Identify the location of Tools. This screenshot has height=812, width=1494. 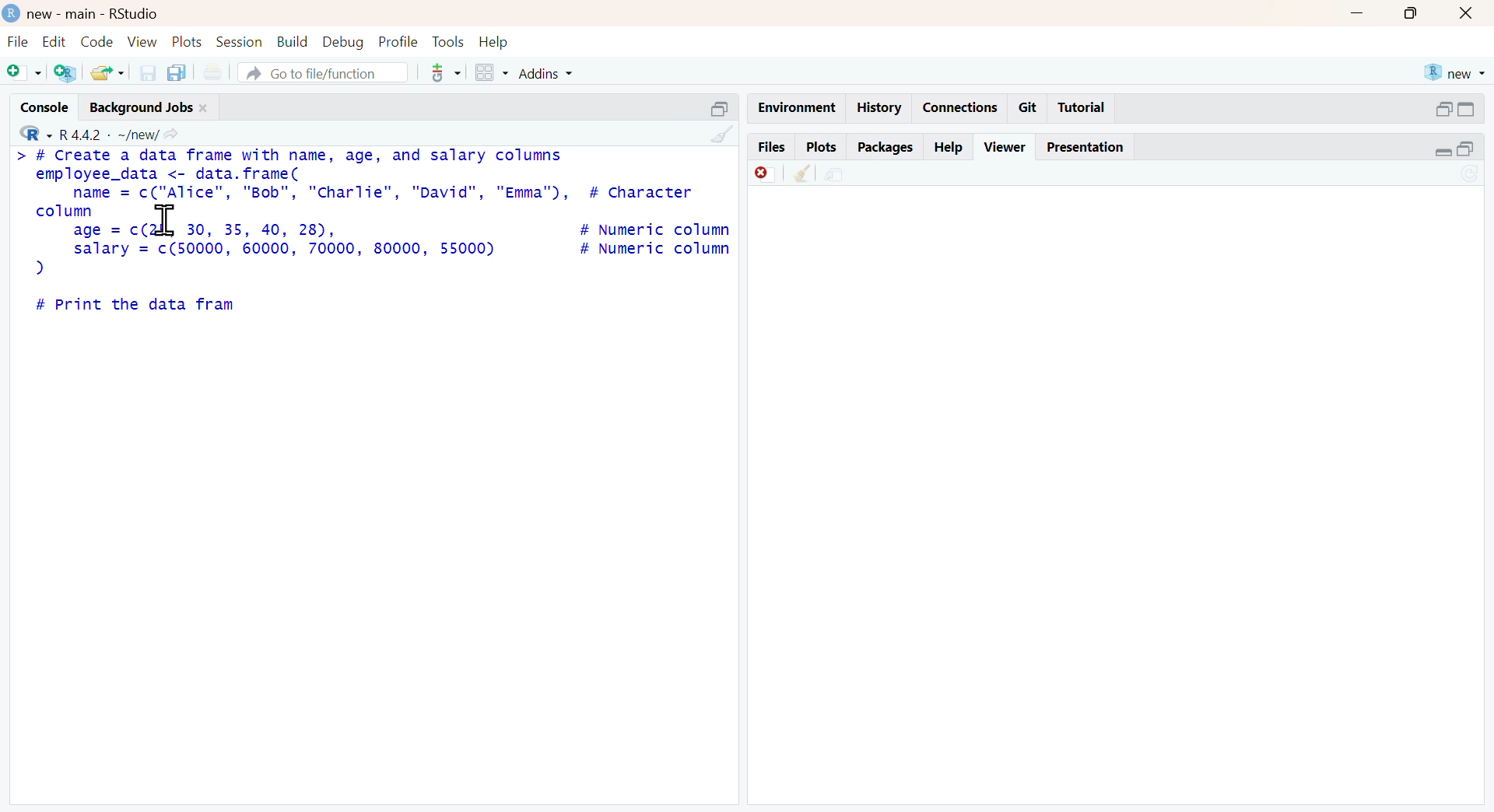
(445, 40).